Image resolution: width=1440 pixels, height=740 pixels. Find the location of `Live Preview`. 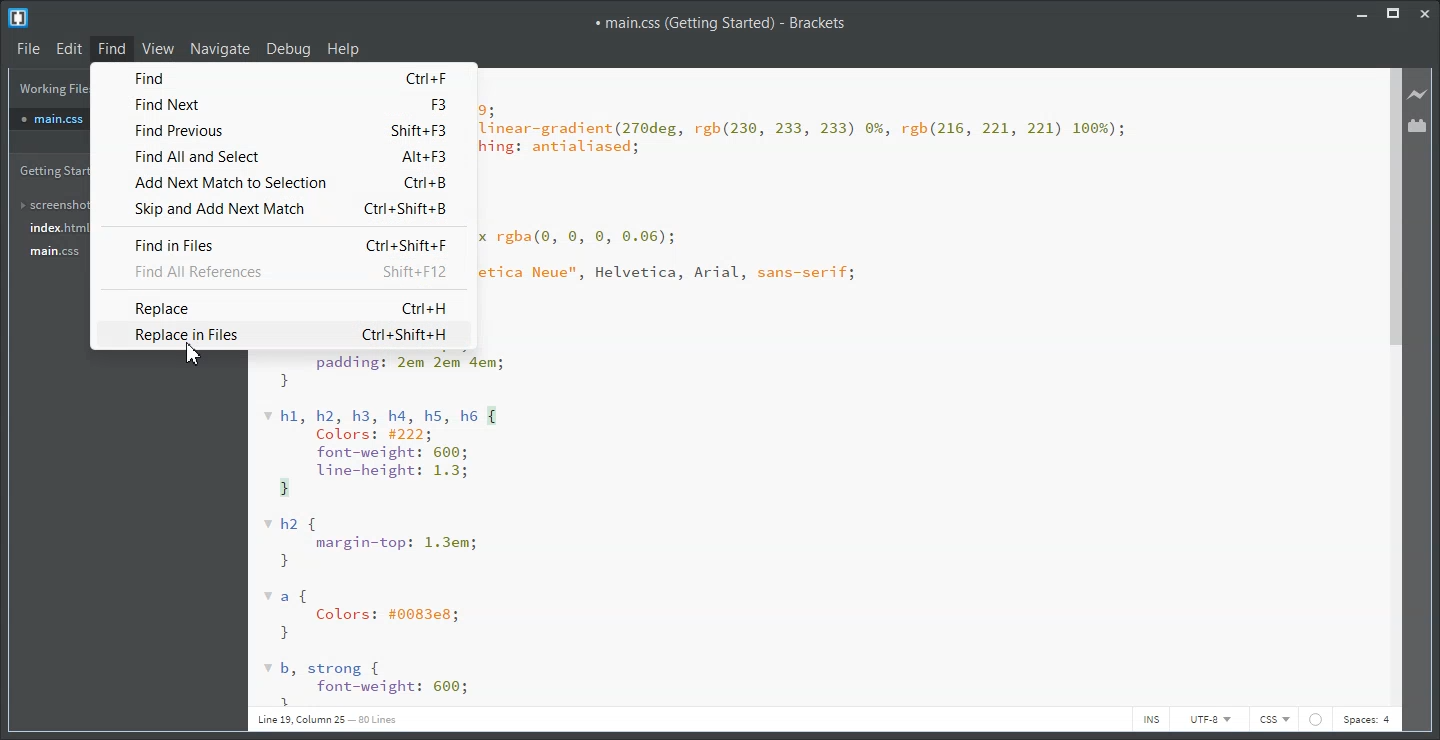

Live Preview is located at coordinates (1418, 95).